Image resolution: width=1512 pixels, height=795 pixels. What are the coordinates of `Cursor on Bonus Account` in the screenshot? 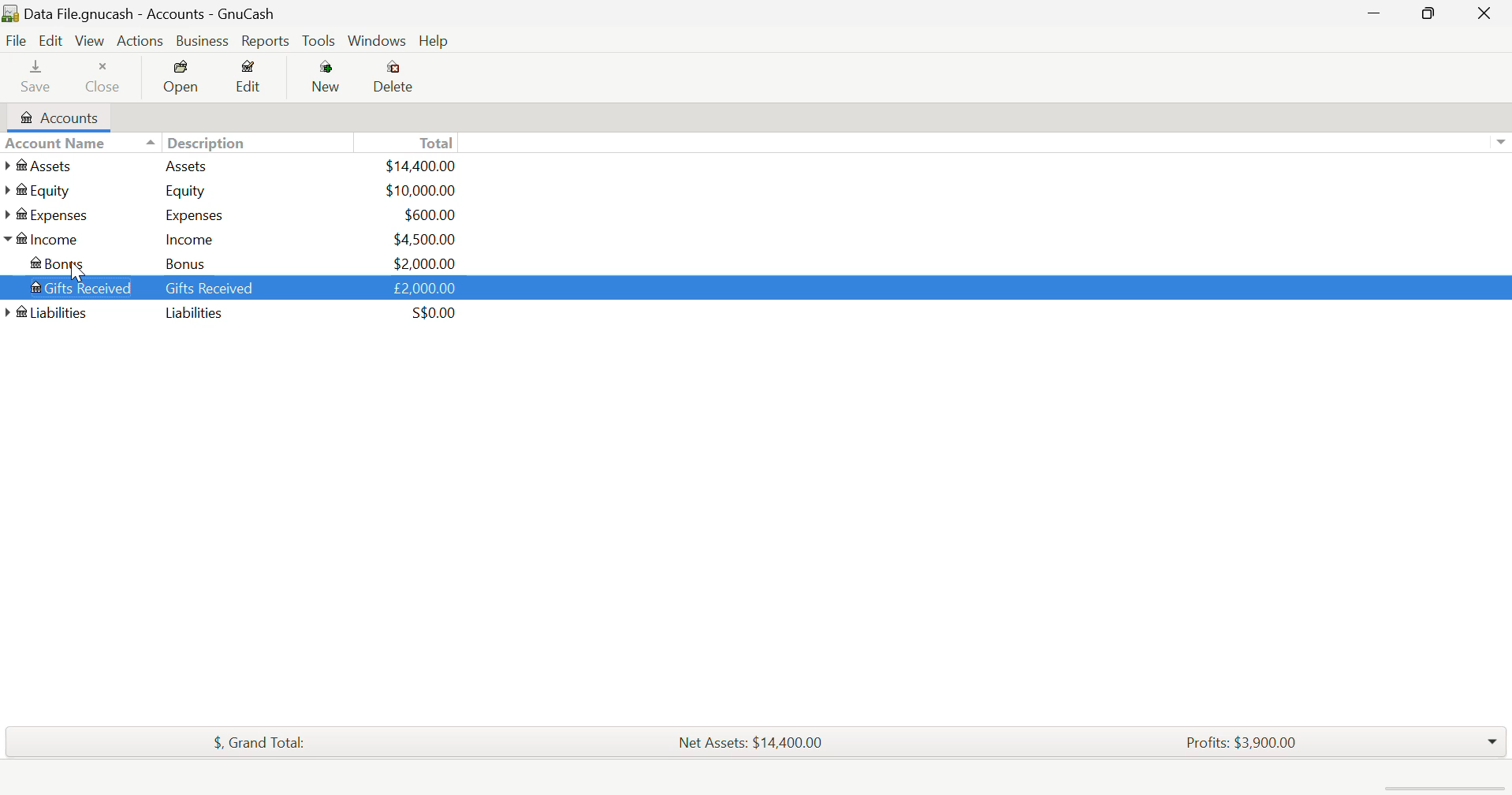 It's located at (76, 270).